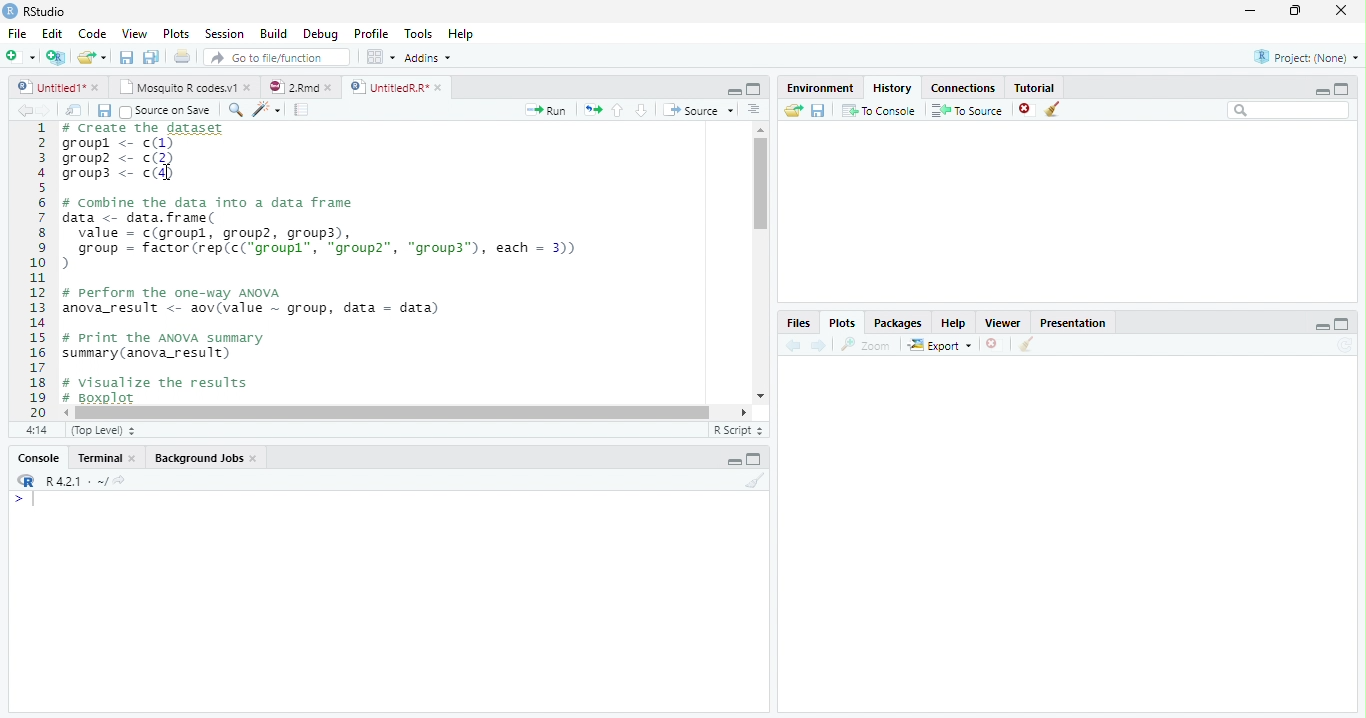 Image resolution: width=1366 pixels, height=718 pixels. I want to click on Zoom In, so click(234, 111).